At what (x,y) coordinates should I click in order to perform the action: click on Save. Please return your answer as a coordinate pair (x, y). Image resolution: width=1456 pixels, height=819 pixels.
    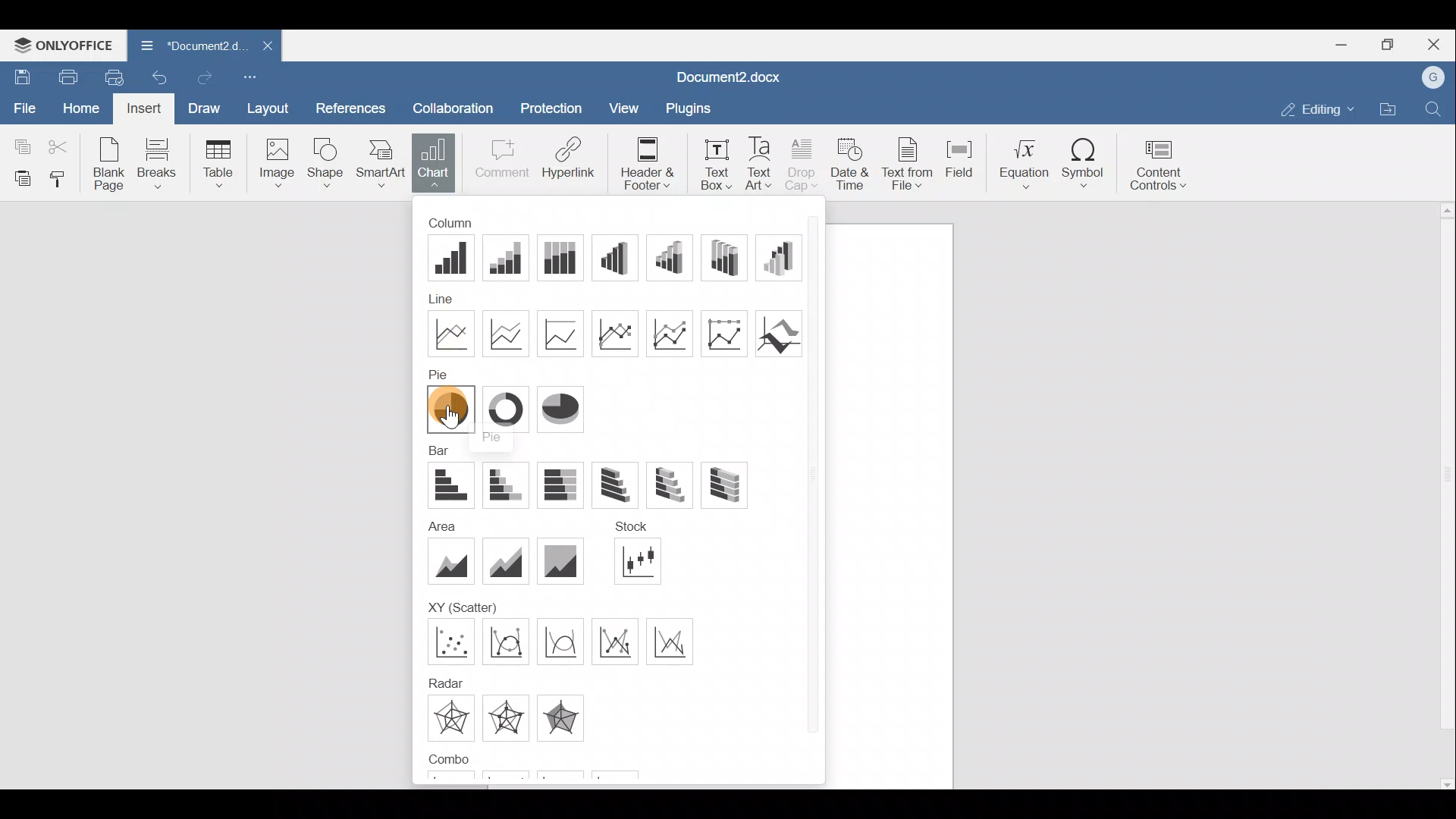
    Looking at the image, I should click on (19, 77).